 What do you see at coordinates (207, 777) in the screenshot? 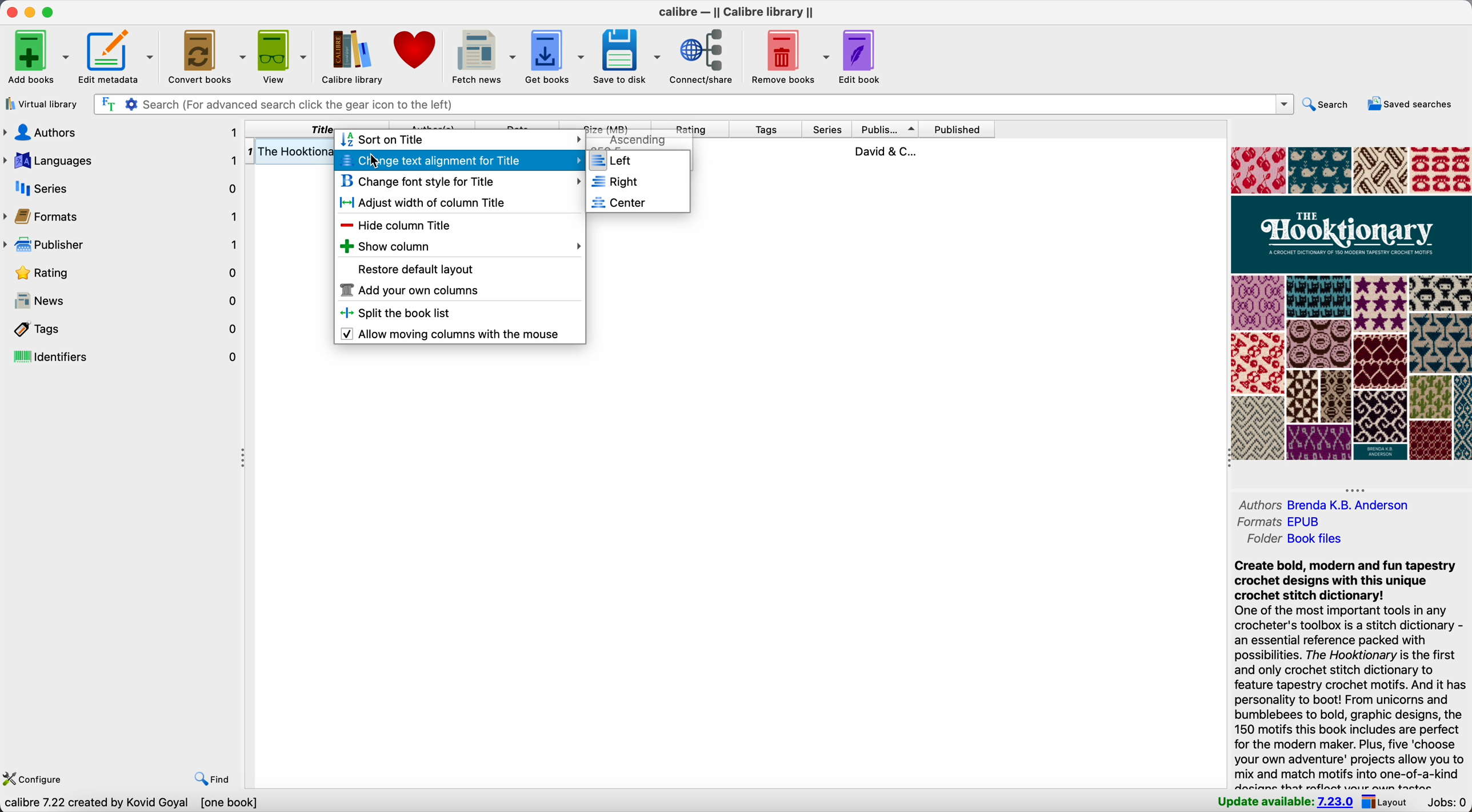
I see `find` at bounding box center [207, 777].